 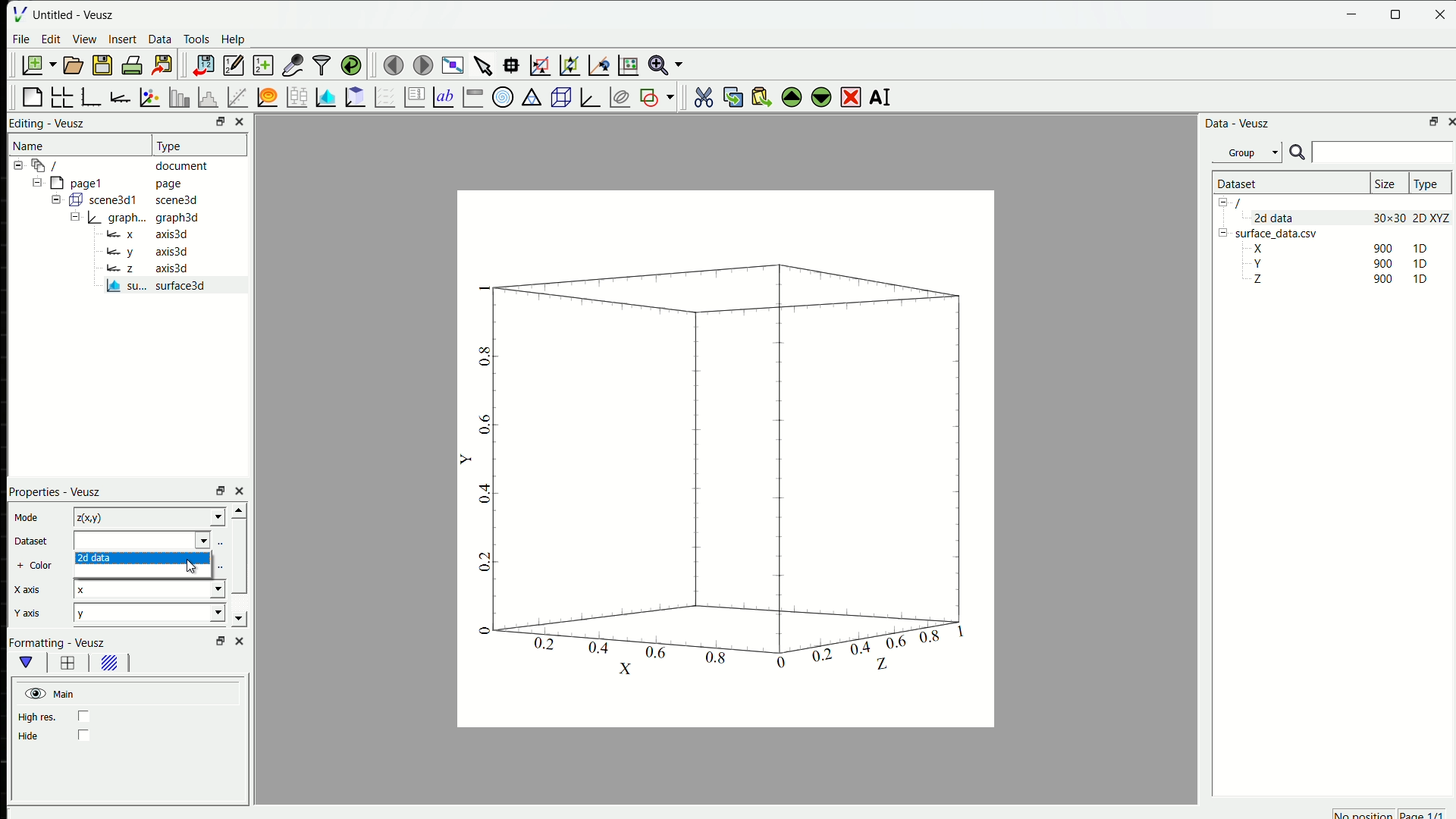 What do you see at coordinates (880, 98) in the screenshot?
I see `AI` at bounding box center [880, 98].